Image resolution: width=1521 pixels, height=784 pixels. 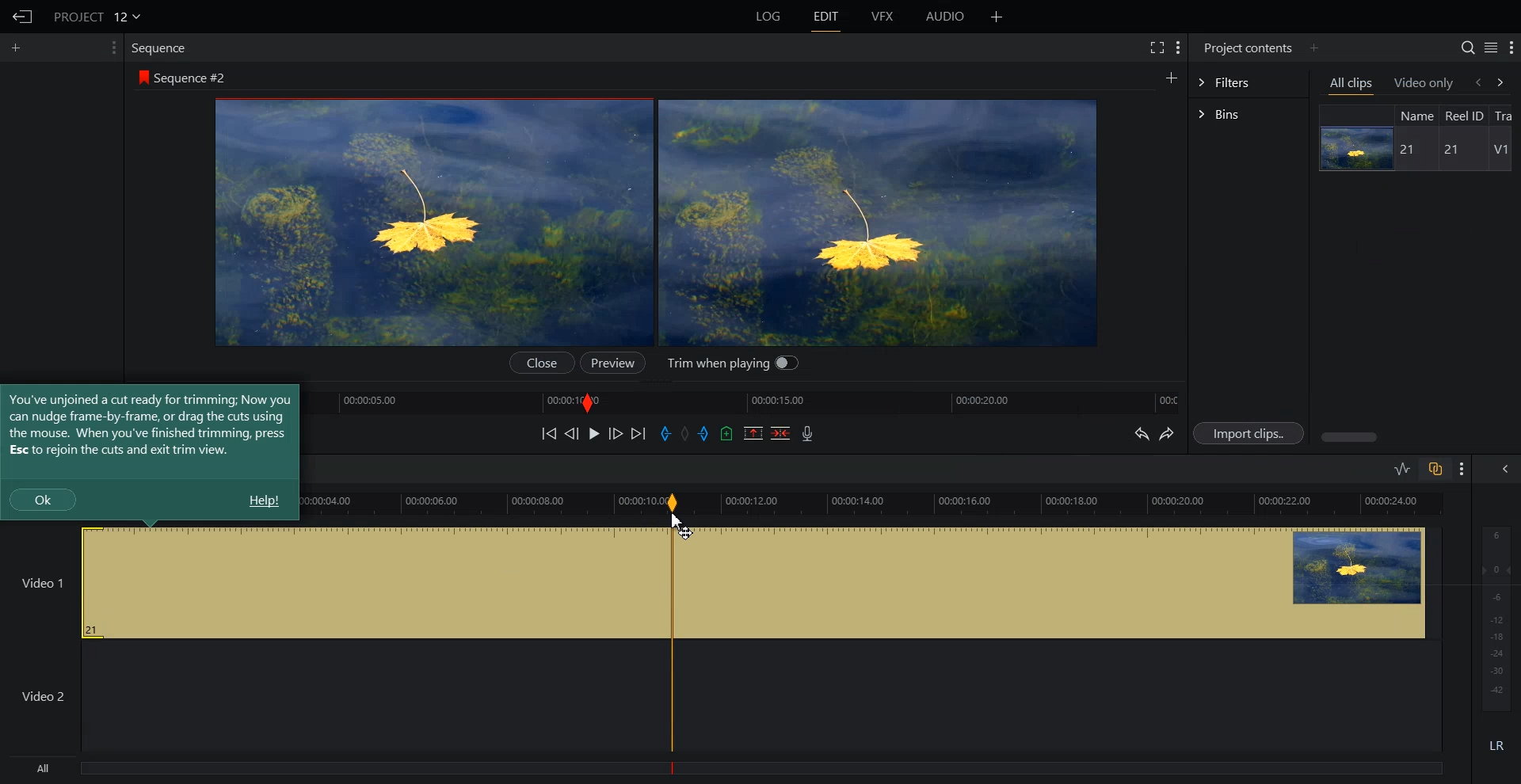 I want to click on Sequence #2, so click(x=193, y=75).